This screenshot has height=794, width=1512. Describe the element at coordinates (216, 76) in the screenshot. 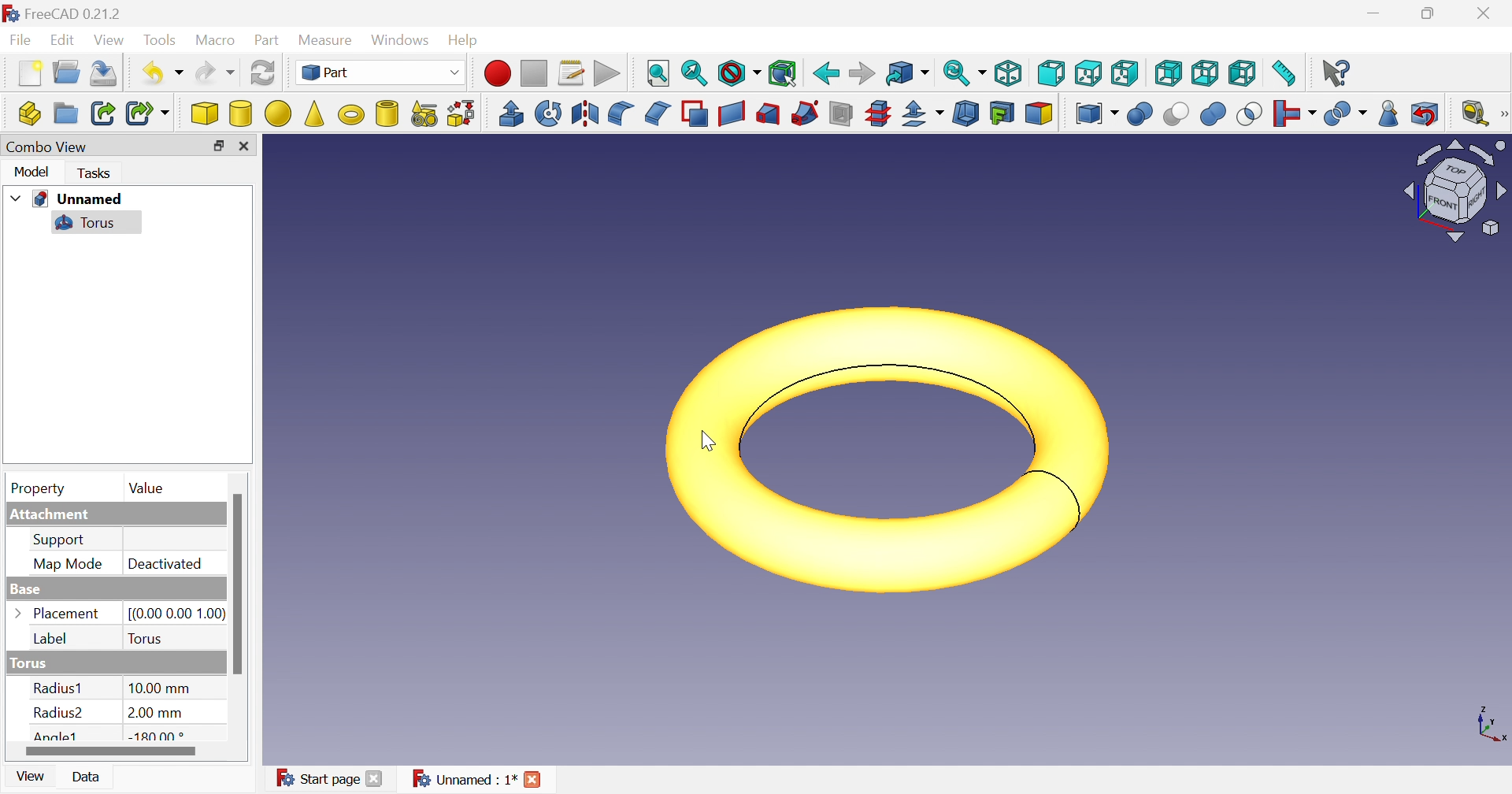

I see `Redo` at that location.